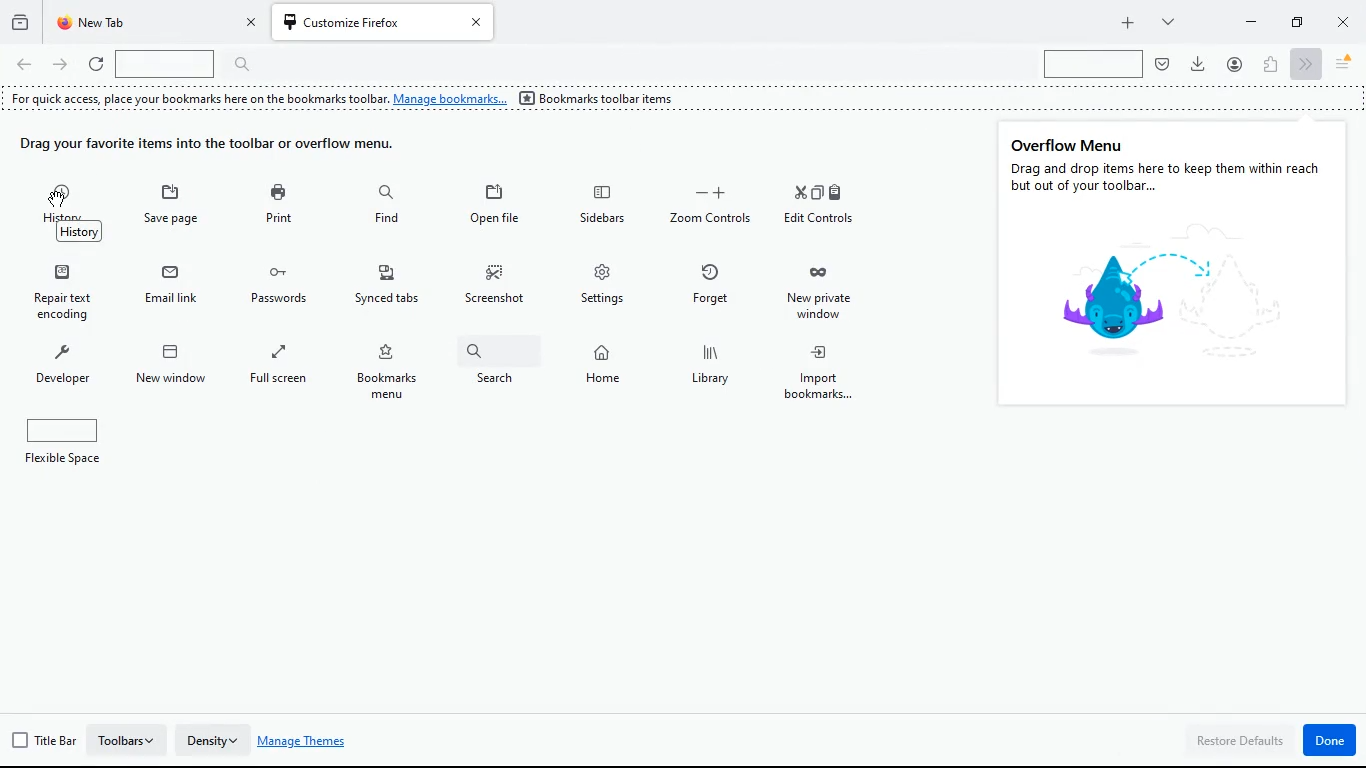 This screenshot has height=768, width=1366. Describe the element at coordinates (1165, 21) in the screenshot. I see `more` at that location.